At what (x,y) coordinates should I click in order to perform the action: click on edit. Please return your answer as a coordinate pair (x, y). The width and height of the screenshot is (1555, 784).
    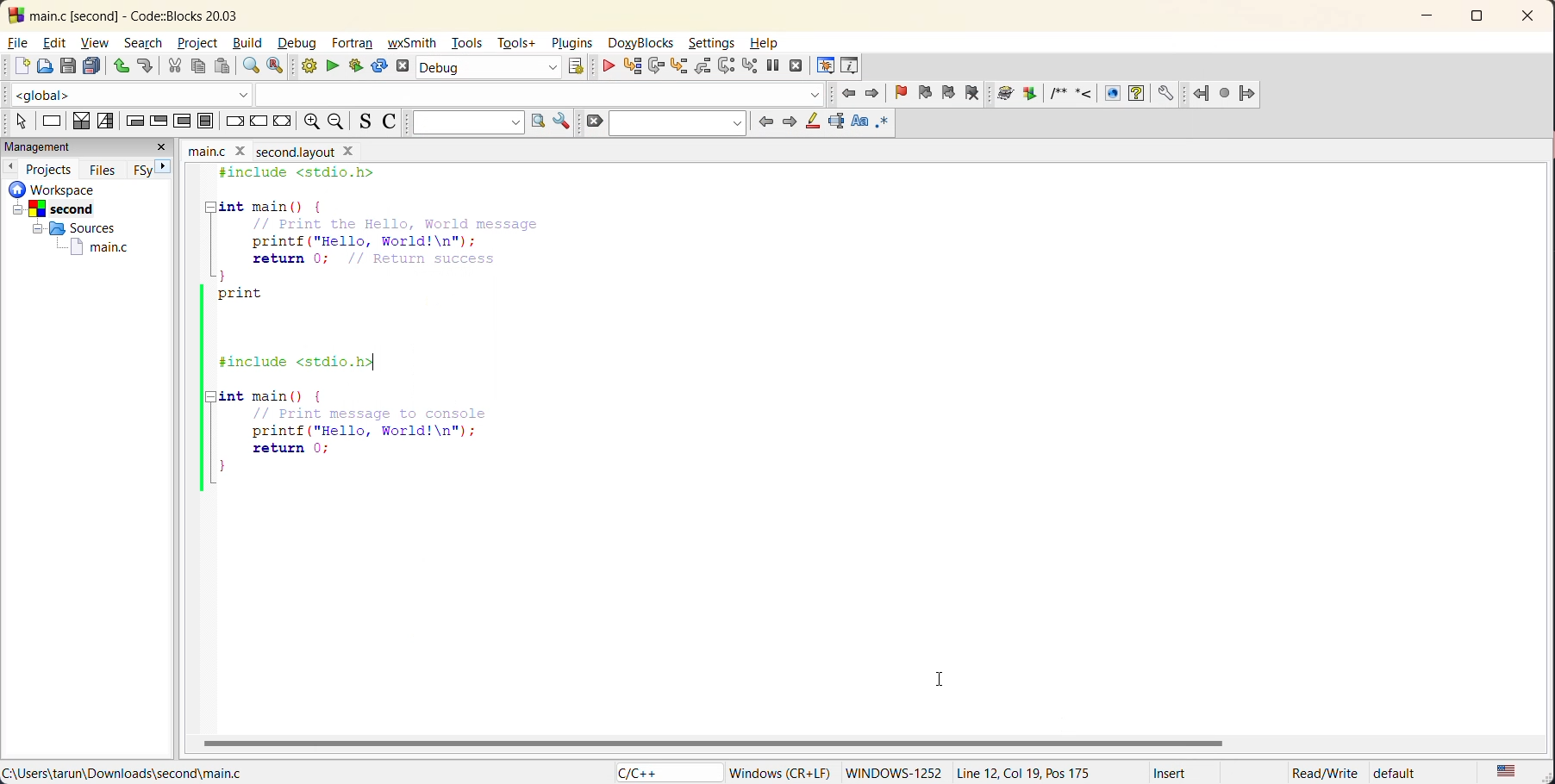
    Looking at the image, I should click on (54, 44).